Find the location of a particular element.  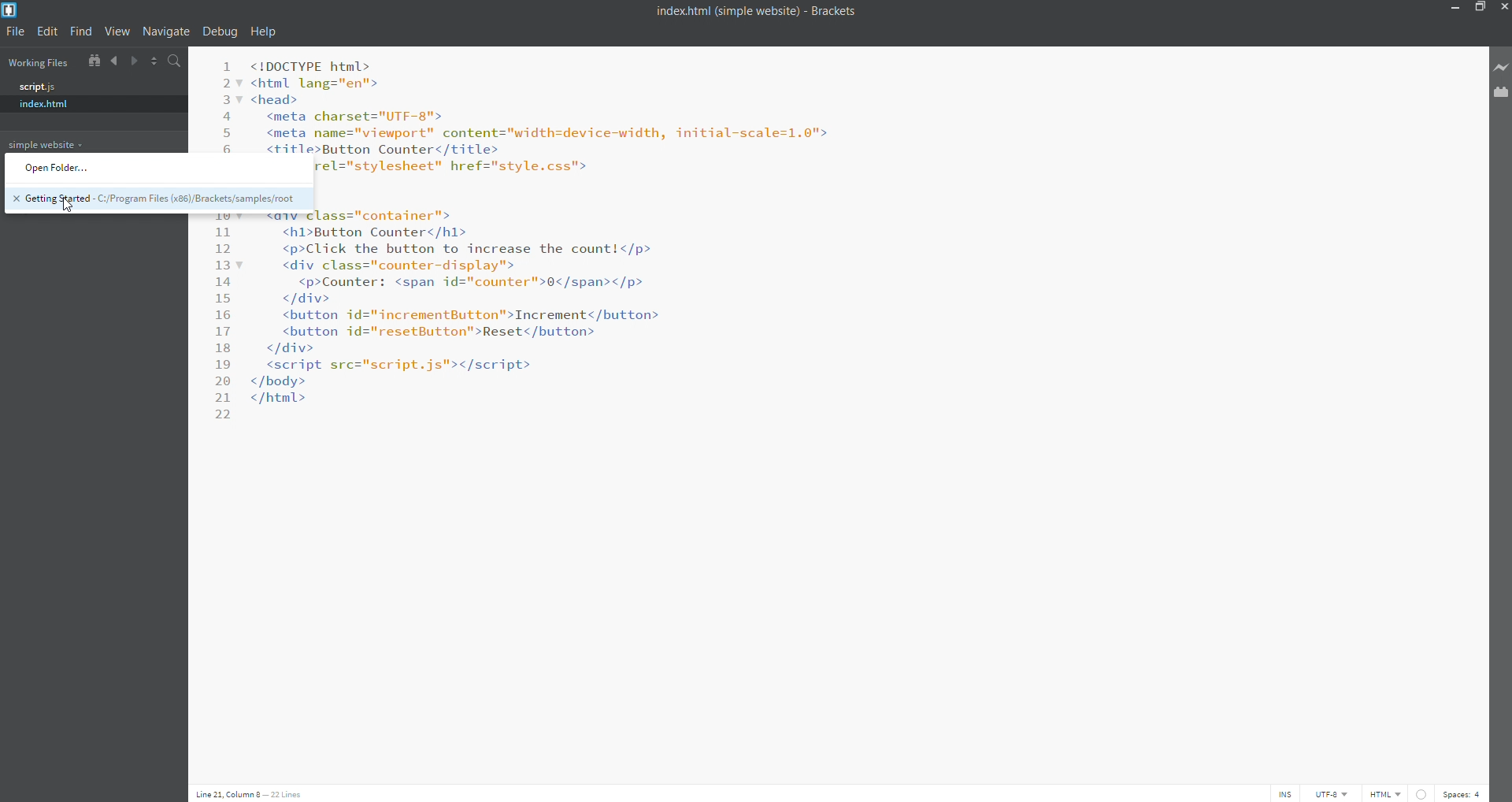

extension manager is located at coordinates (1502, 94).